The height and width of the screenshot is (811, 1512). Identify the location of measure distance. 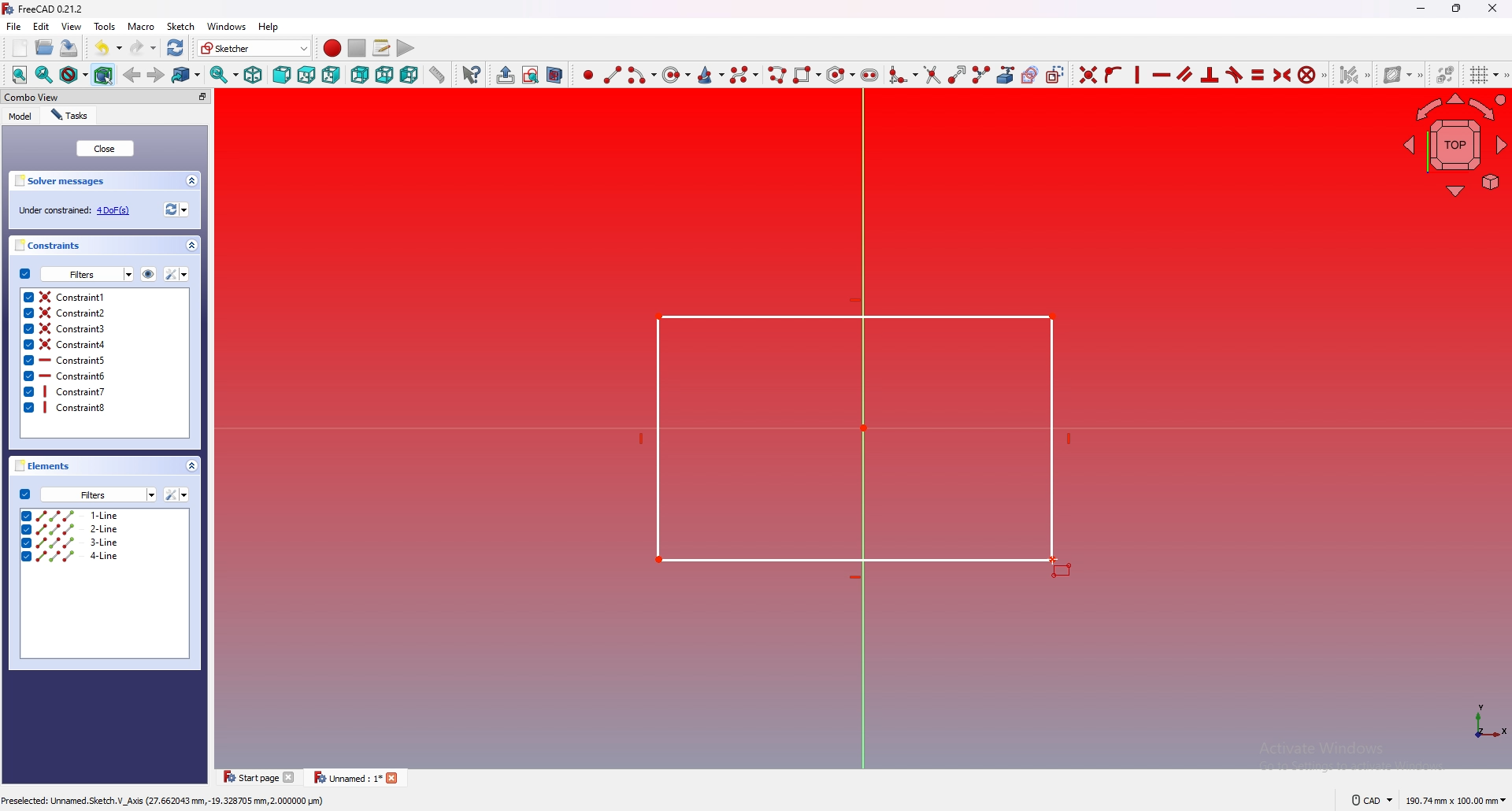
(438, 75).